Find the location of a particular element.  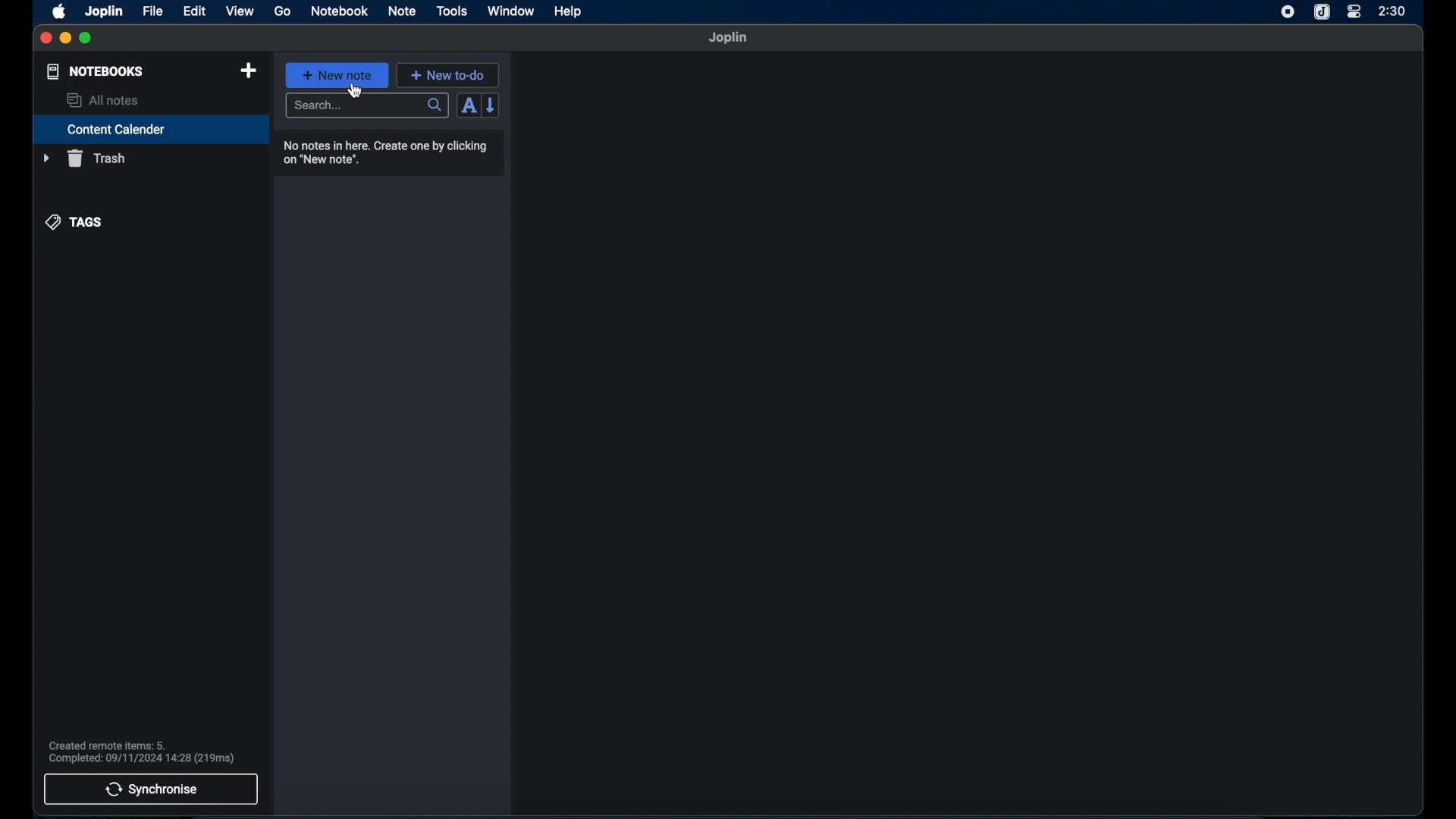

new note is located at coordinates (337, 75).